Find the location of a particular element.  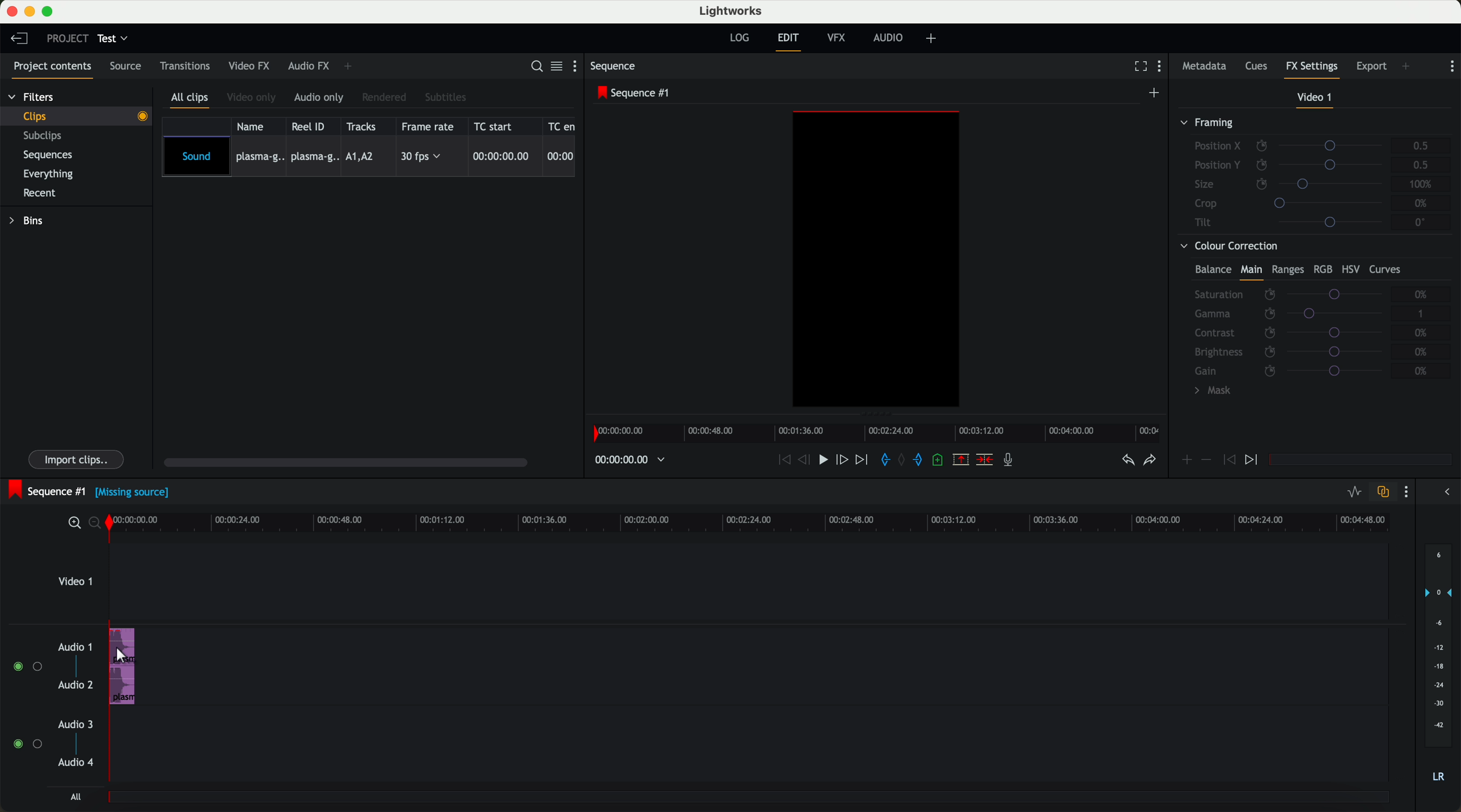

metadata is located at coordinates (1204, 67).